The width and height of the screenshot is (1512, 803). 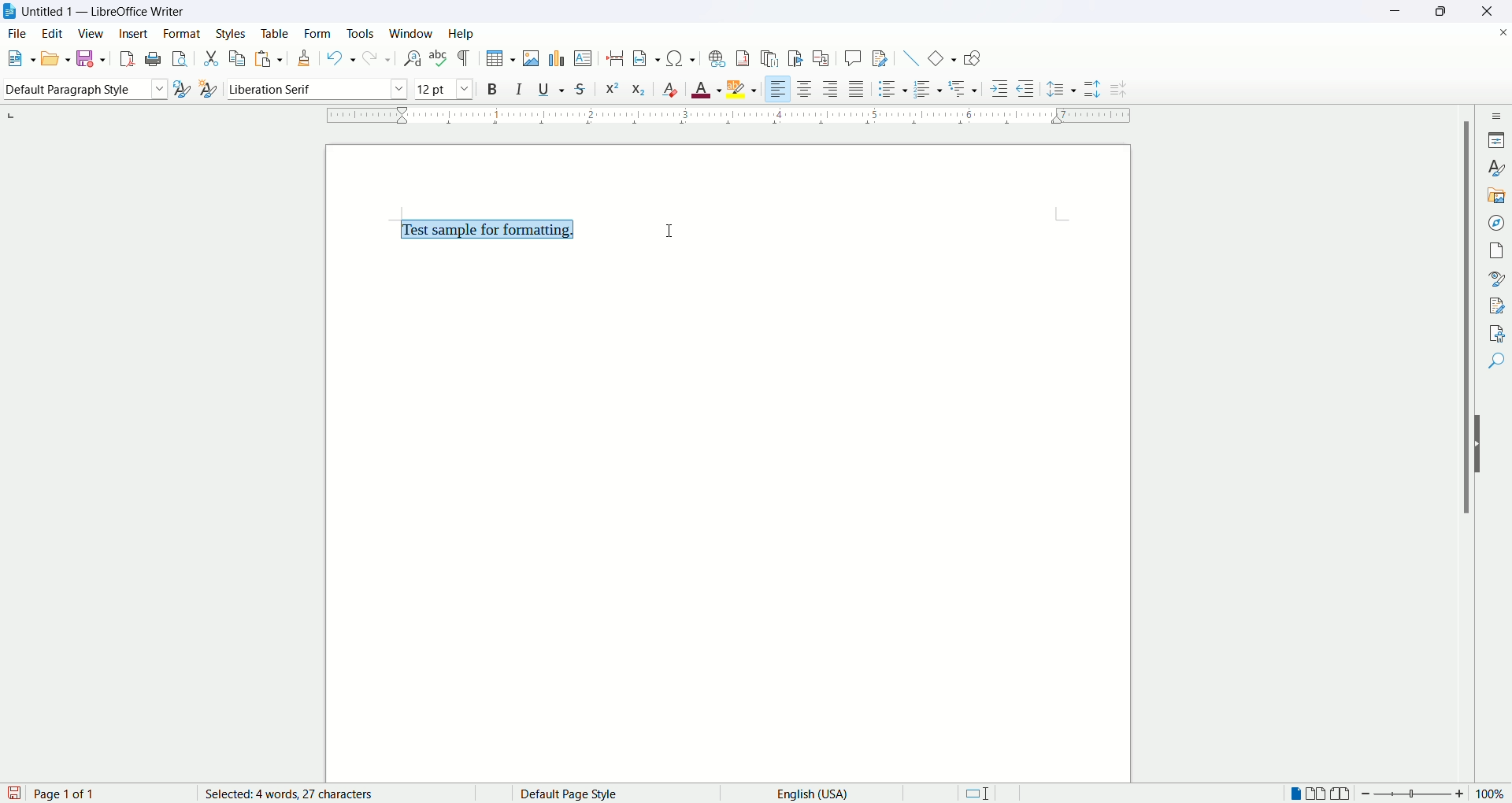 What do you see at coordinates (209, 88) in the screenshot?
I see `new style` at bounding box center [209, 88].